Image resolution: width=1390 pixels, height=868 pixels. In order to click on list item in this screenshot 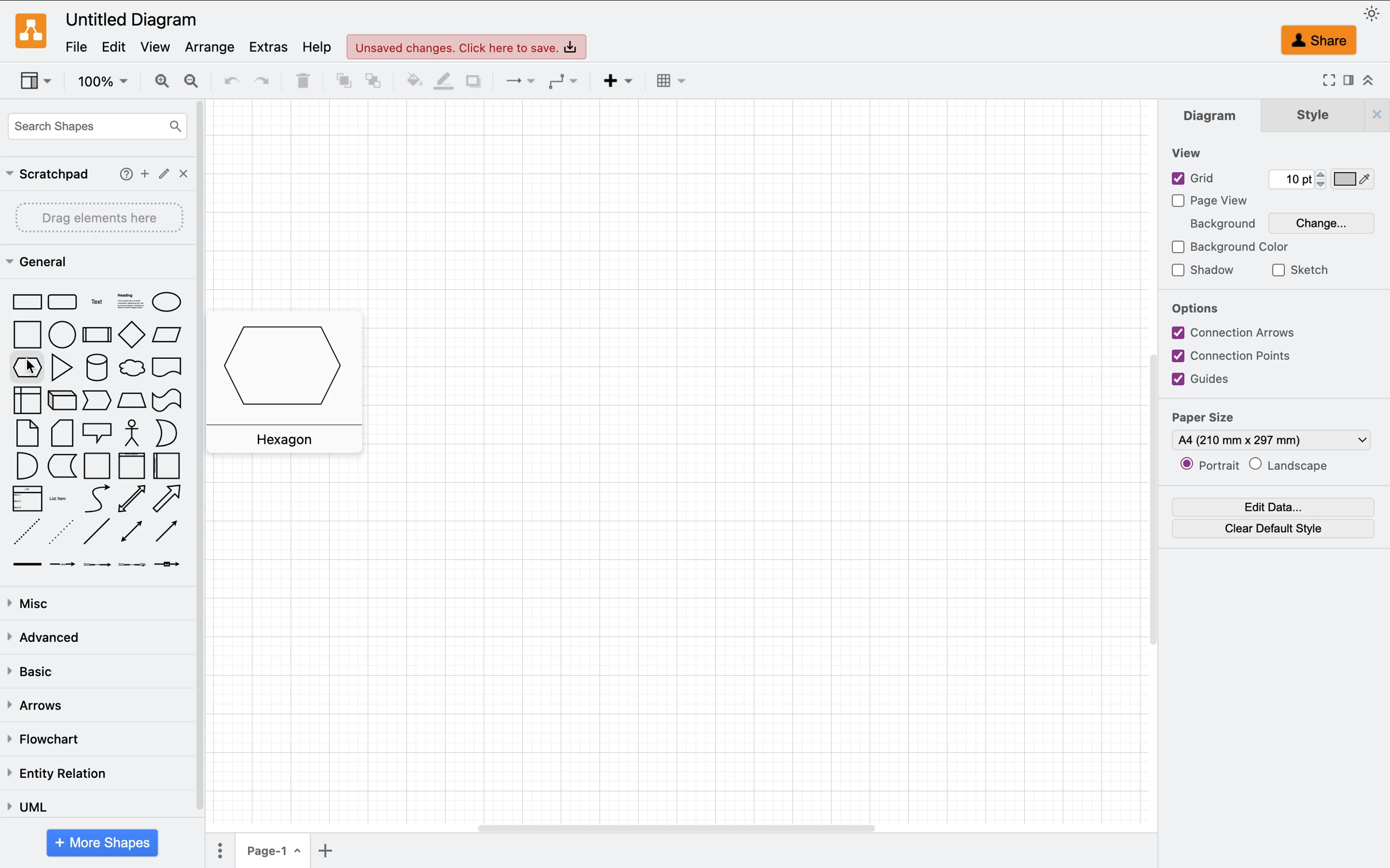, I will do `click(62, 499)`.